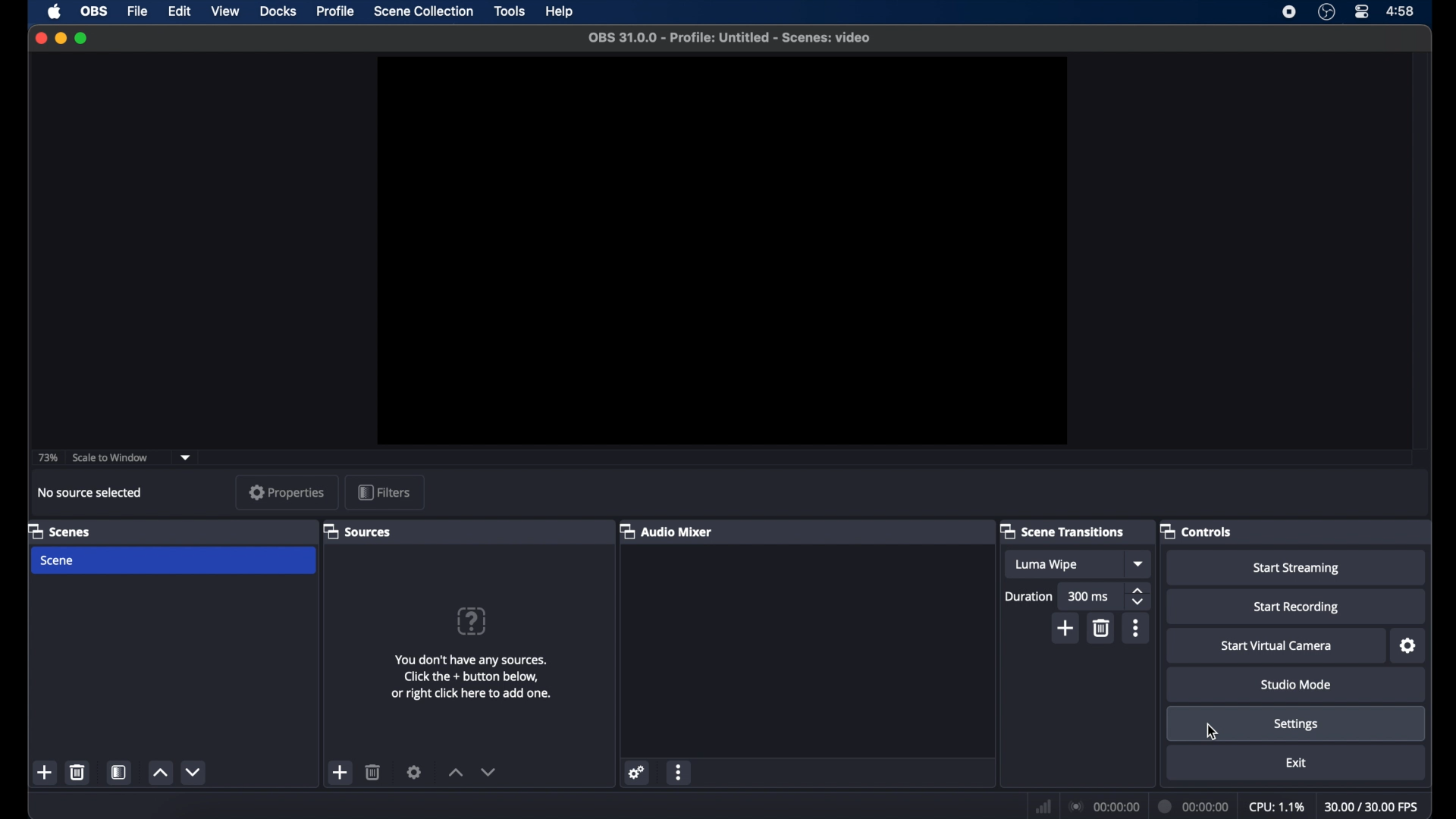  I want to click on preview, so click(723, 250).